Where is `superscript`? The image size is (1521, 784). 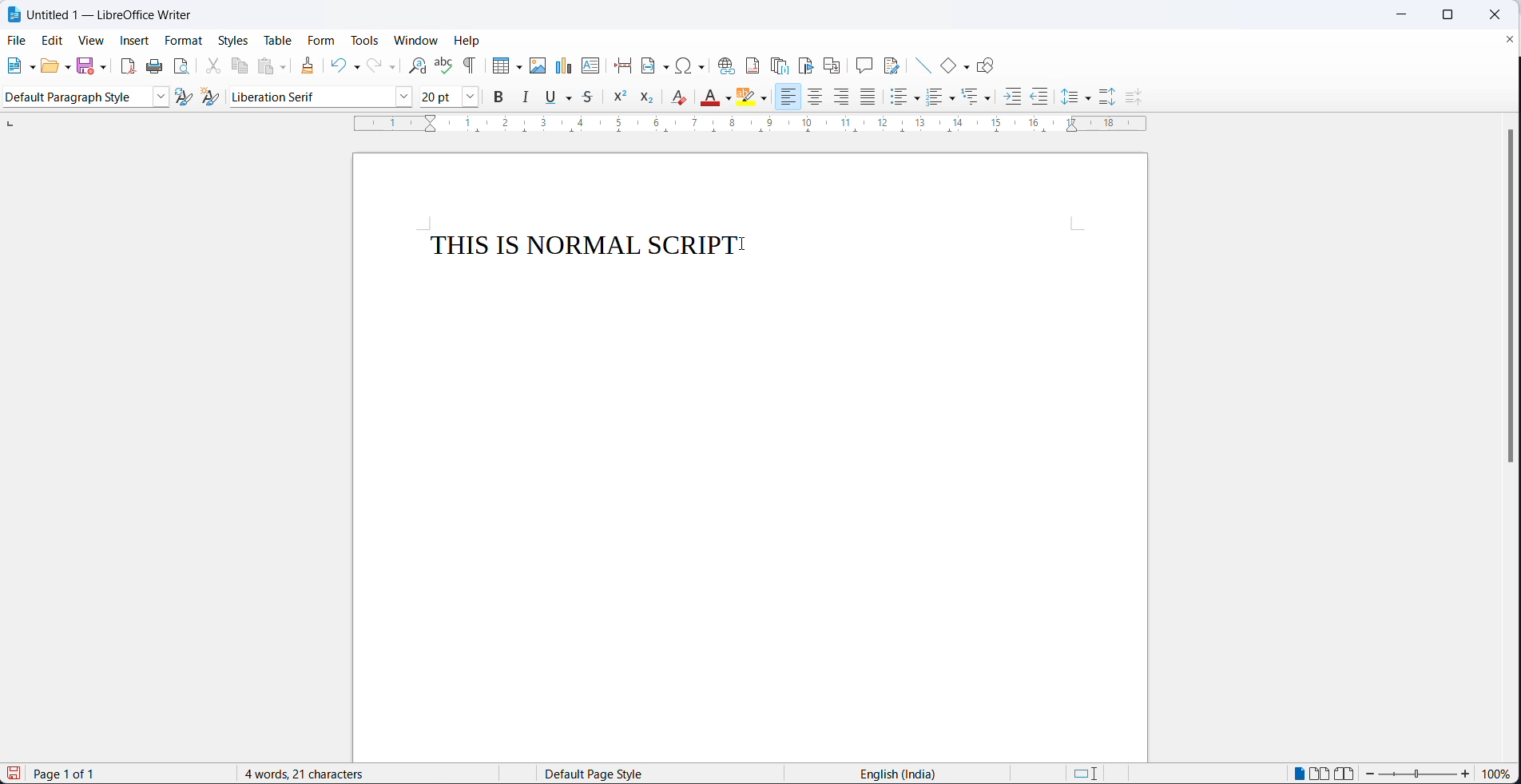
superscript is located at coordinates (622, 98).